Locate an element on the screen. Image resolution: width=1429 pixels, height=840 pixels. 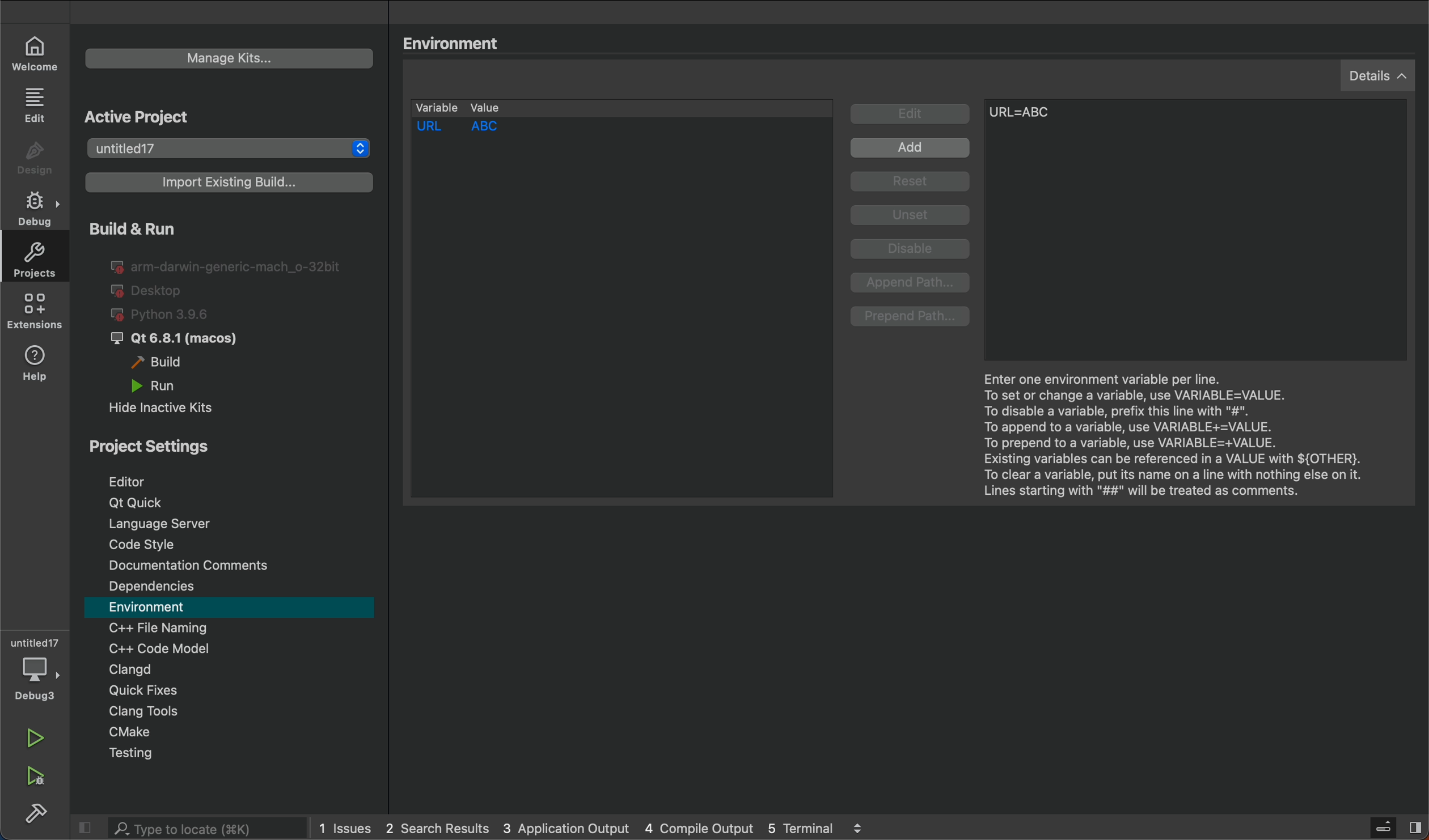
Reset is located at coordinates (914, 183).